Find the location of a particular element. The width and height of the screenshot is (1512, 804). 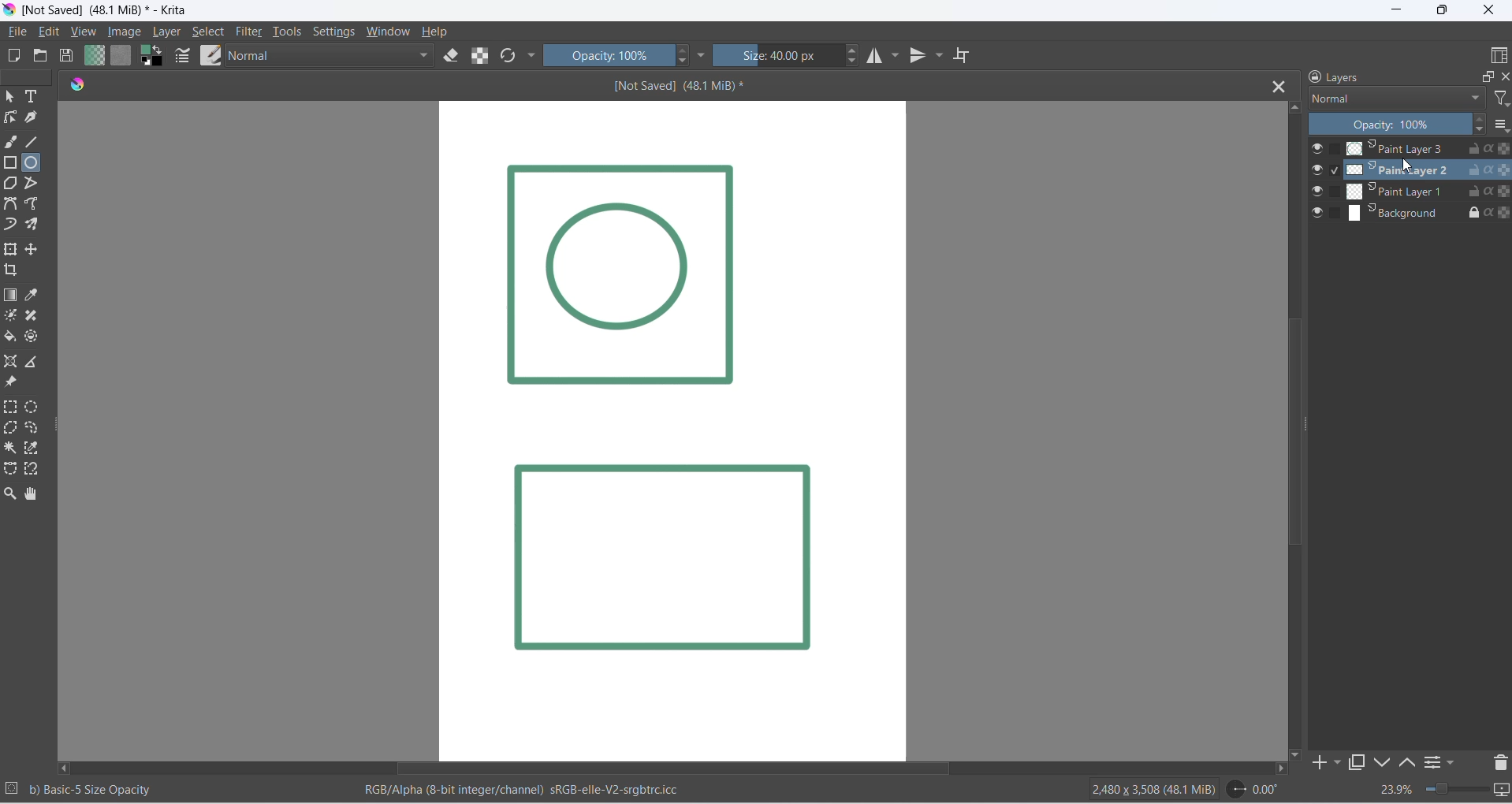

elliptical selection tool is located at coordinates (32, 406).